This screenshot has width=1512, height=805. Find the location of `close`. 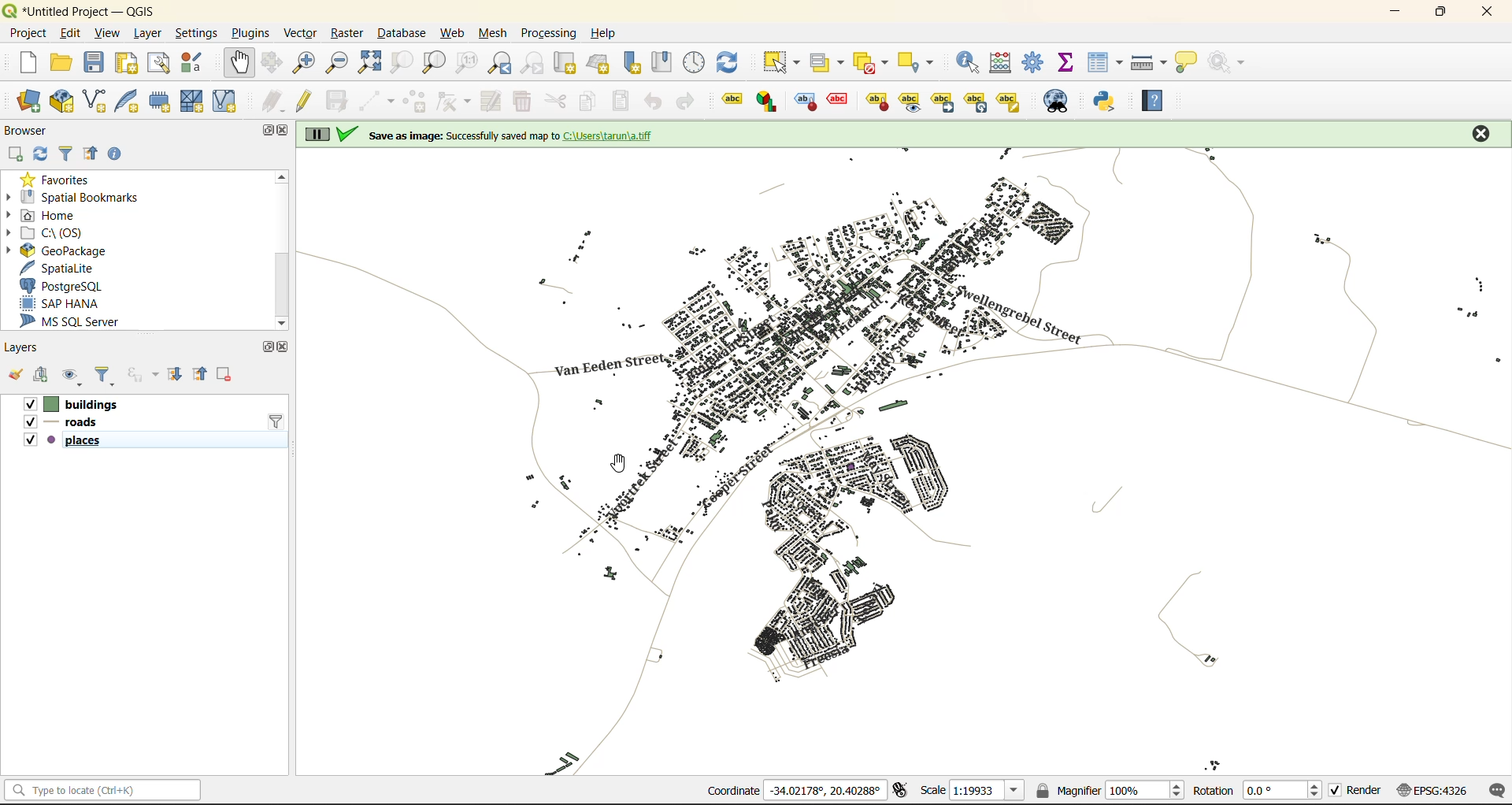

close is located at coordinates (287, 131).